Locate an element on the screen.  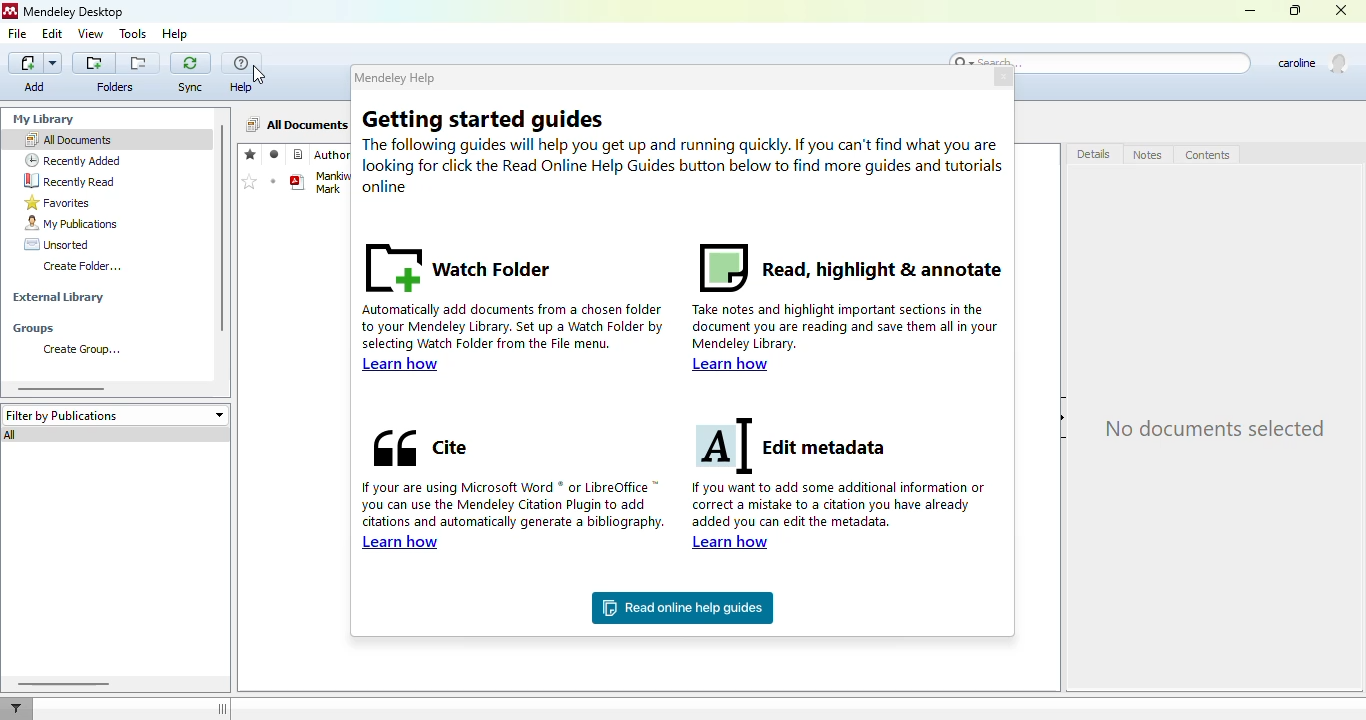
all documents is located at coordinates (67, 139).